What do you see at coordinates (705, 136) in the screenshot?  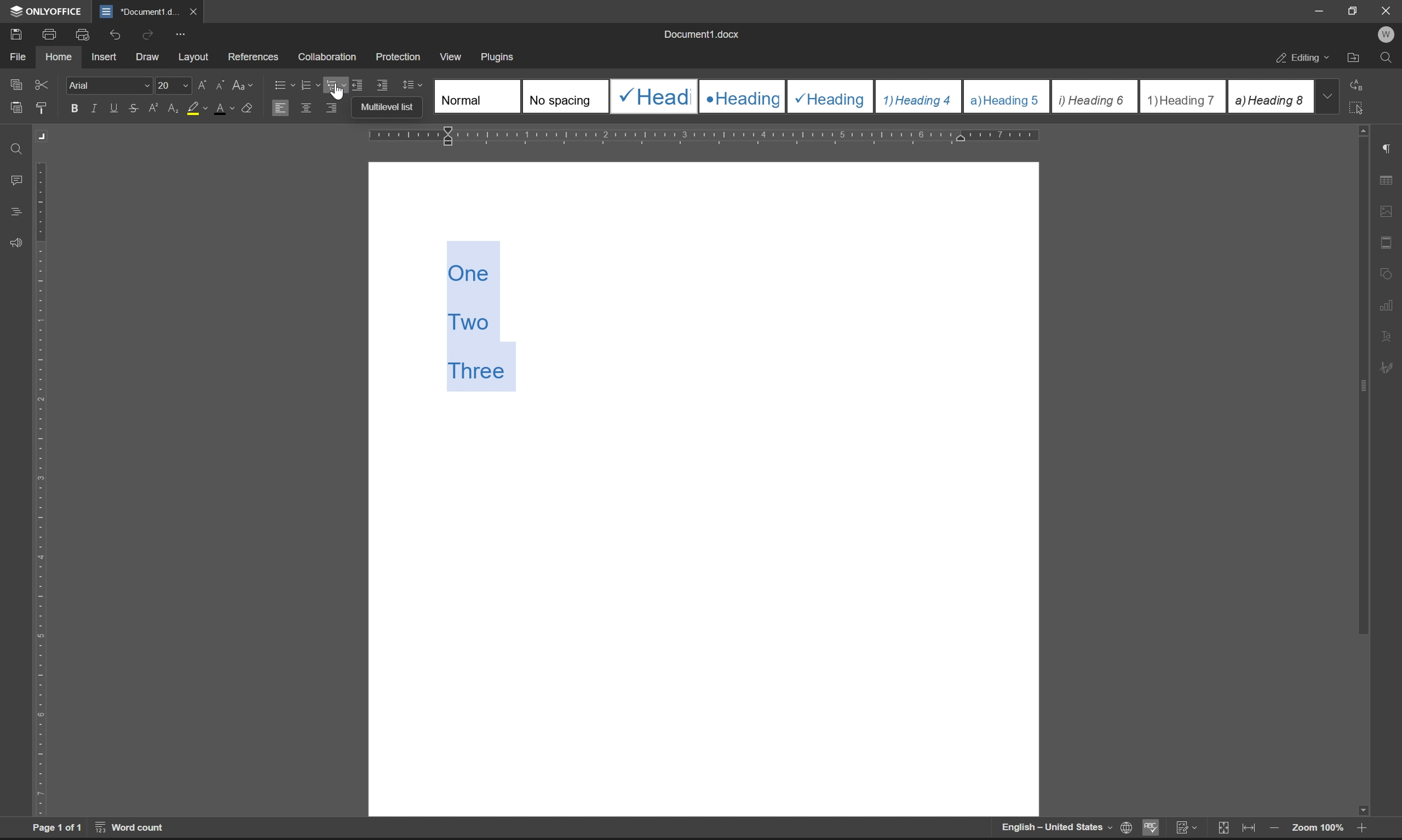 I see `ruler` at bounding box center [705, 136].